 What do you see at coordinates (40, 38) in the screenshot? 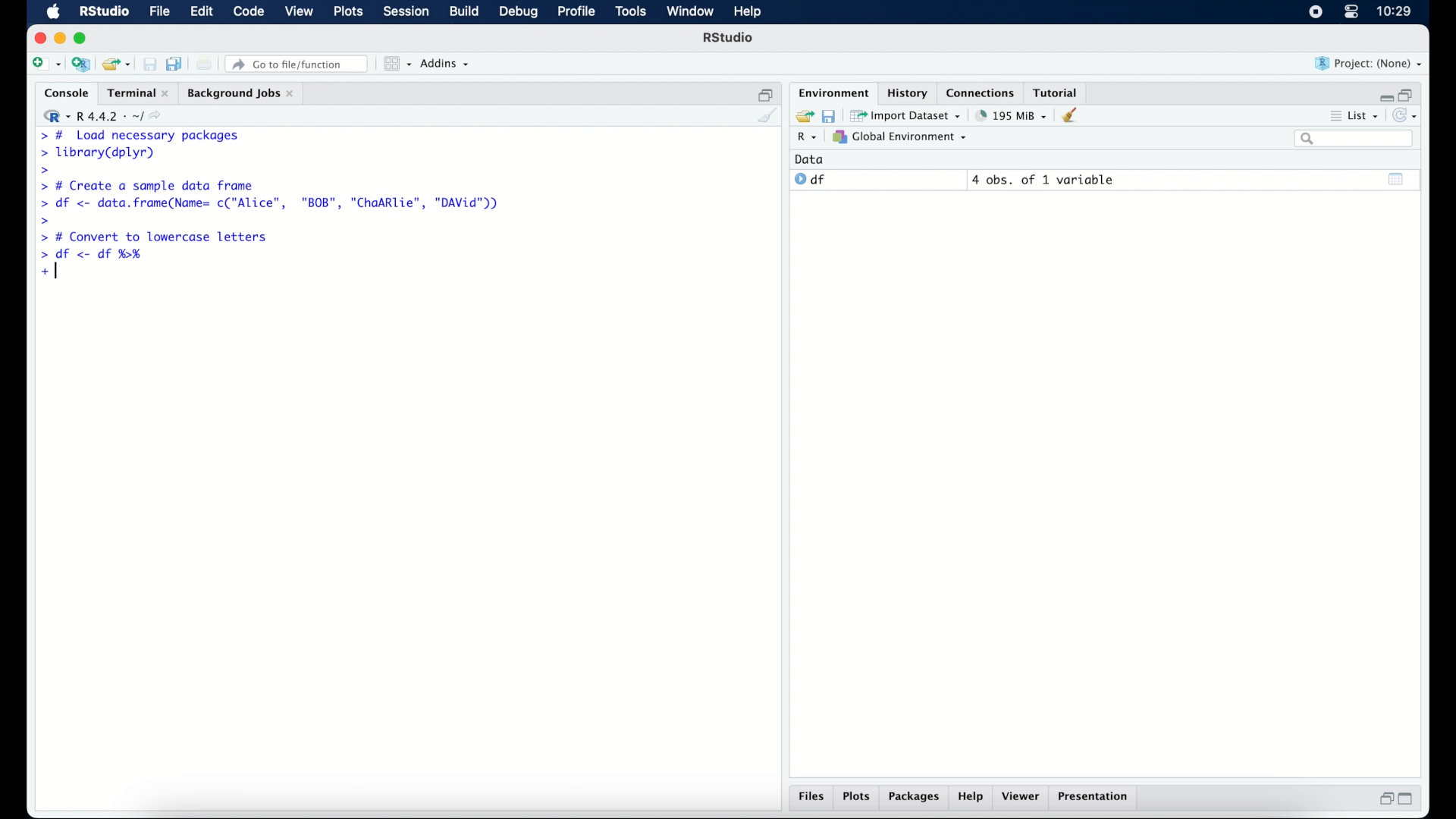
I see `close` at bounding box center [40, 38].